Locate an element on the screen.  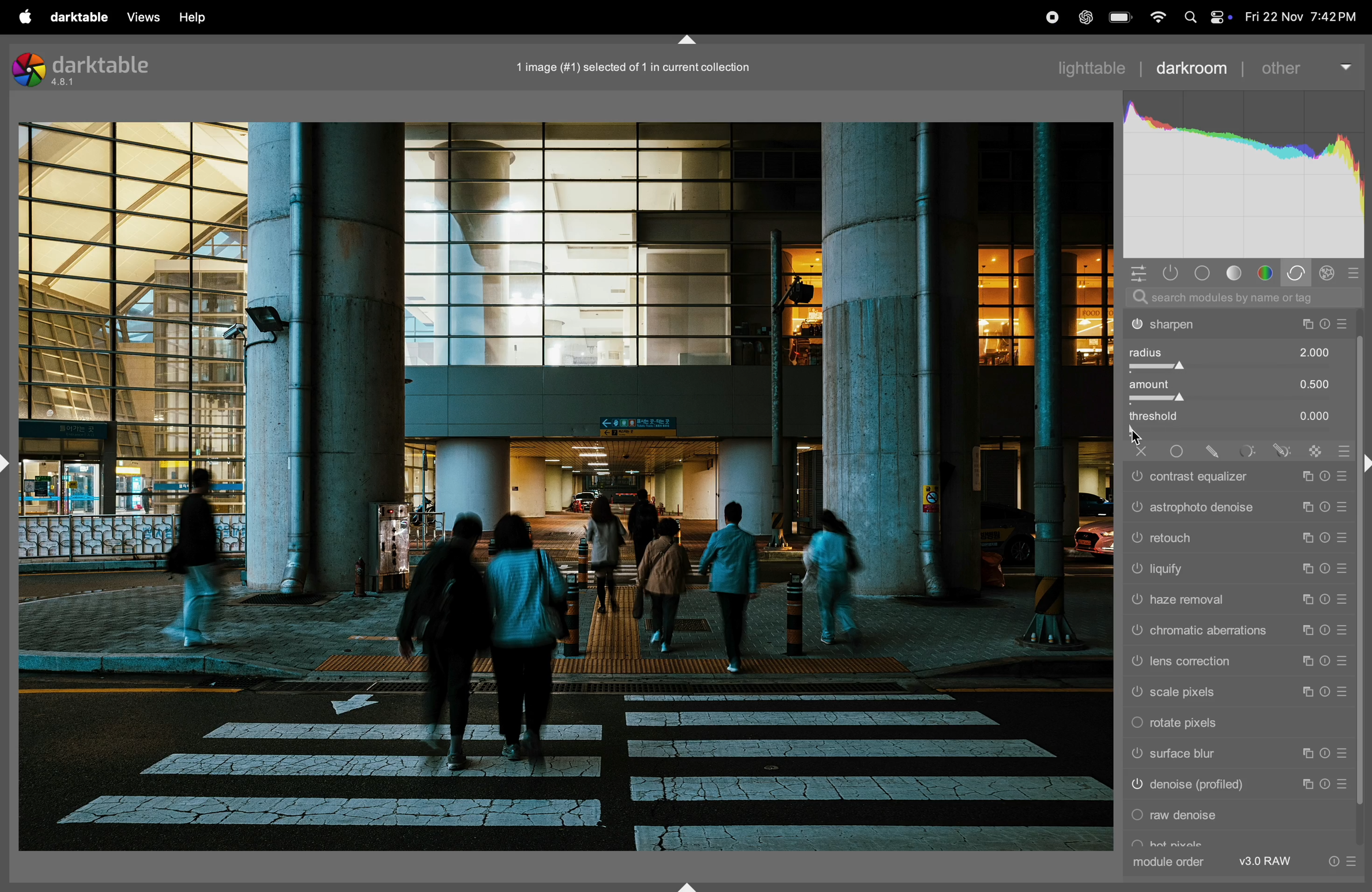
rastter mask is located at coordinates (1310, 448).